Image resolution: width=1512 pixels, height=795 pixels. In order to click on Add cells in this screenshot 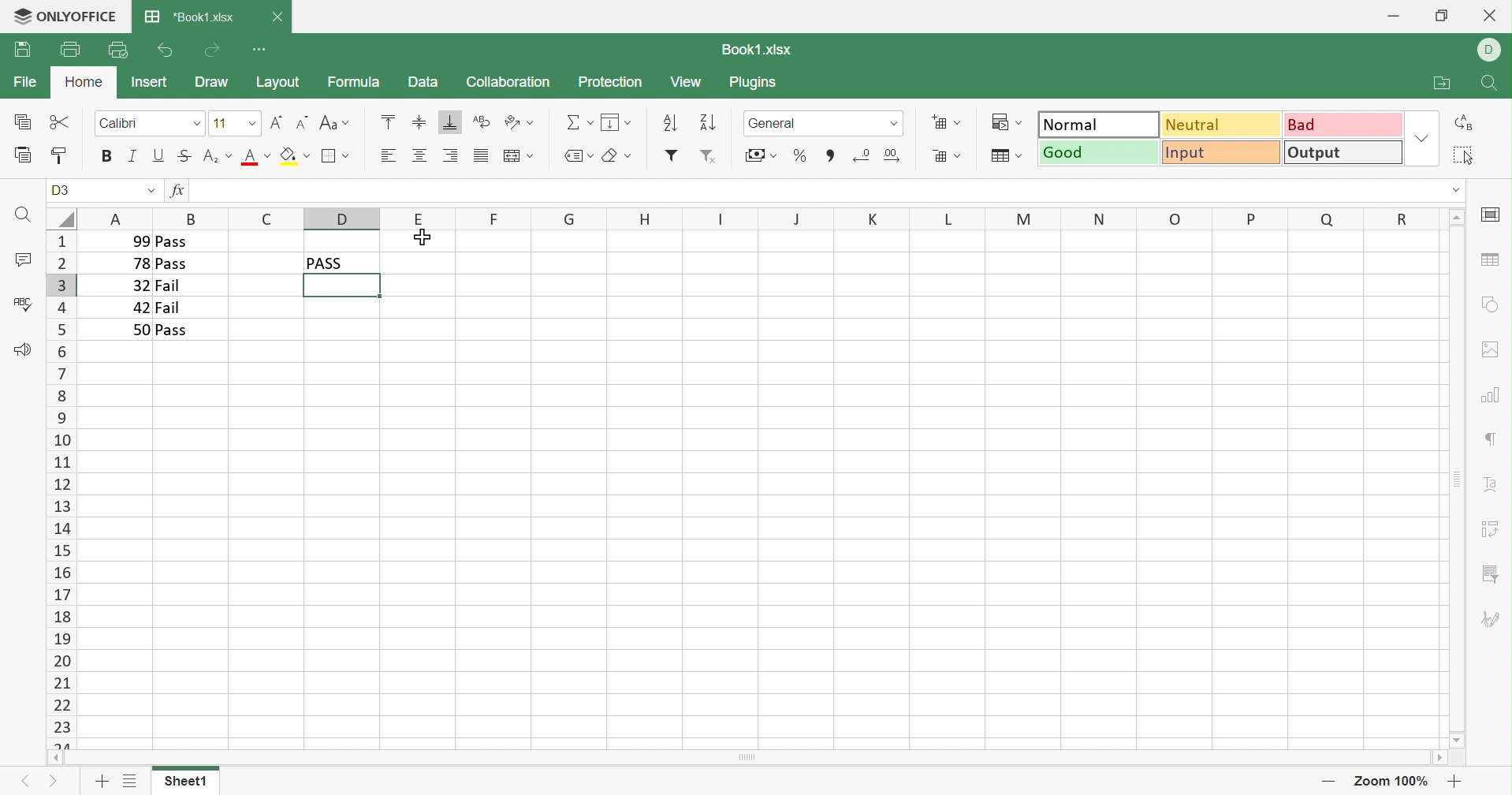, I will do `click(947, 123)`.